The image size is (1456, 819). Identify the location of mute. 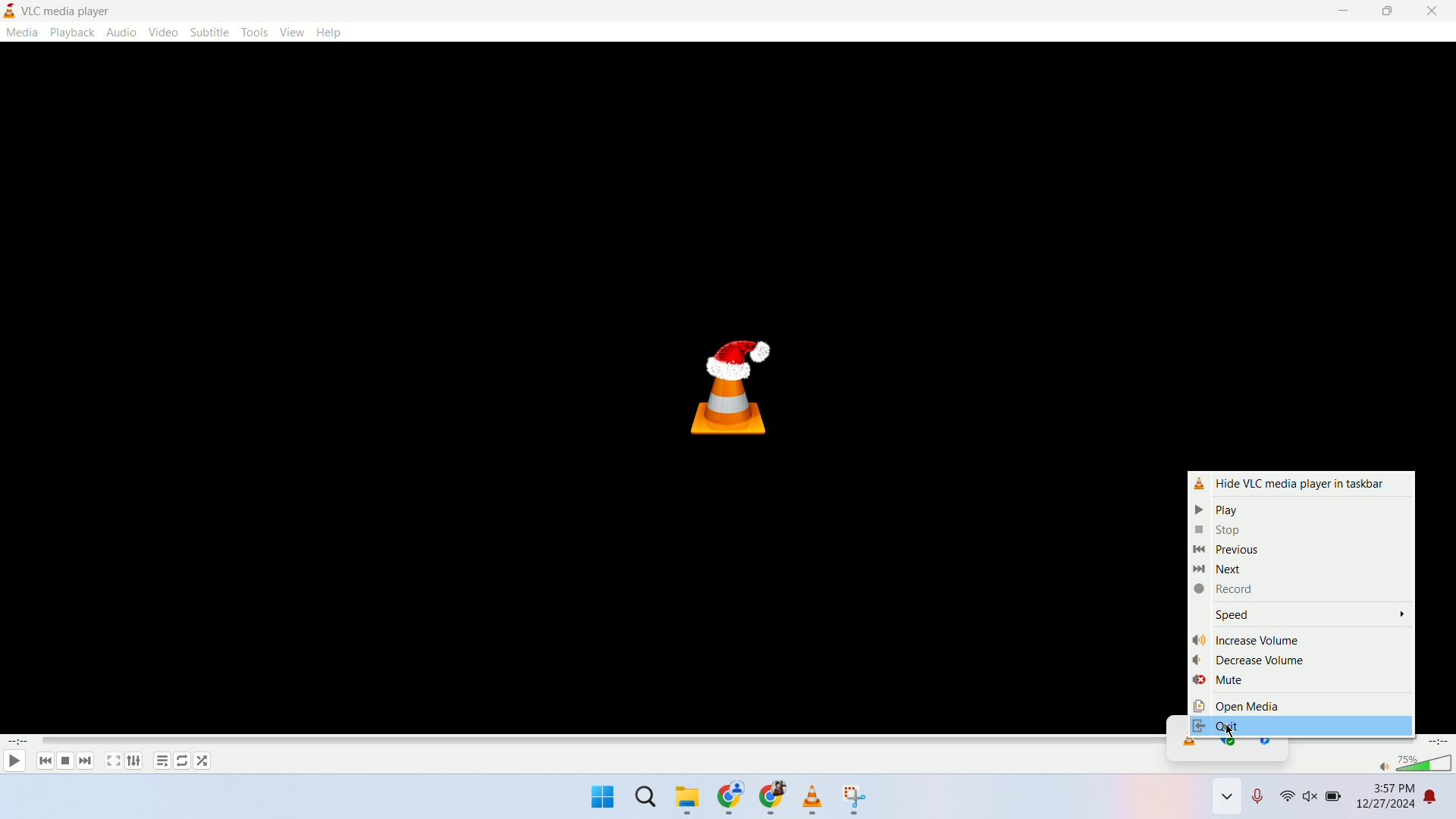
(1301, 682).